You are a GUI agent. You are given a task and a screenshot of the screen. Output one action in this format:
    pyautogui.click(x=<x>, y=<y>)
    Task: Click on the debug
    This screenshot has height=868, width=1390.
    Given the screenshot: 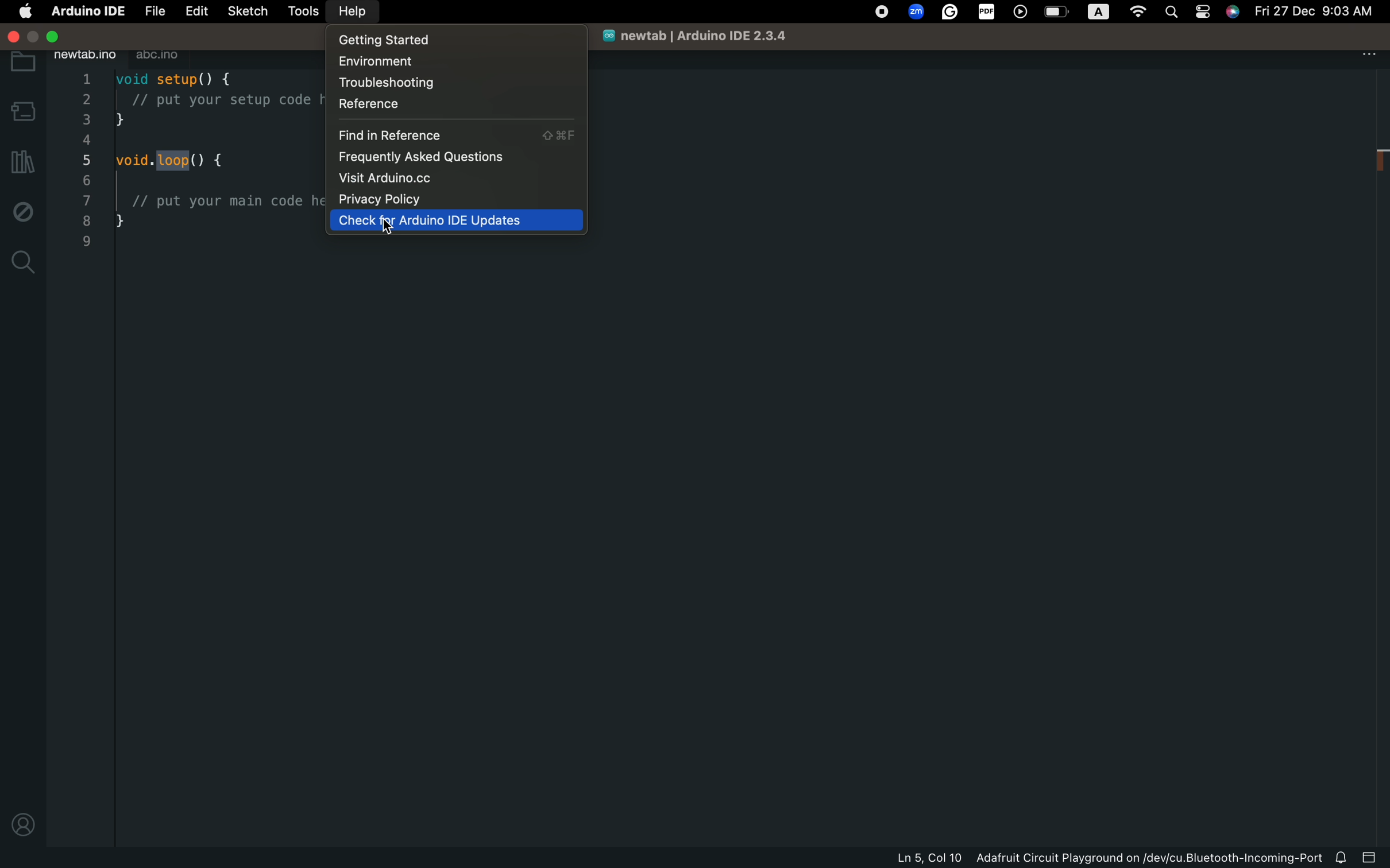 What is the action you would take?
    pyautogui.click(x=23, y=210)
    